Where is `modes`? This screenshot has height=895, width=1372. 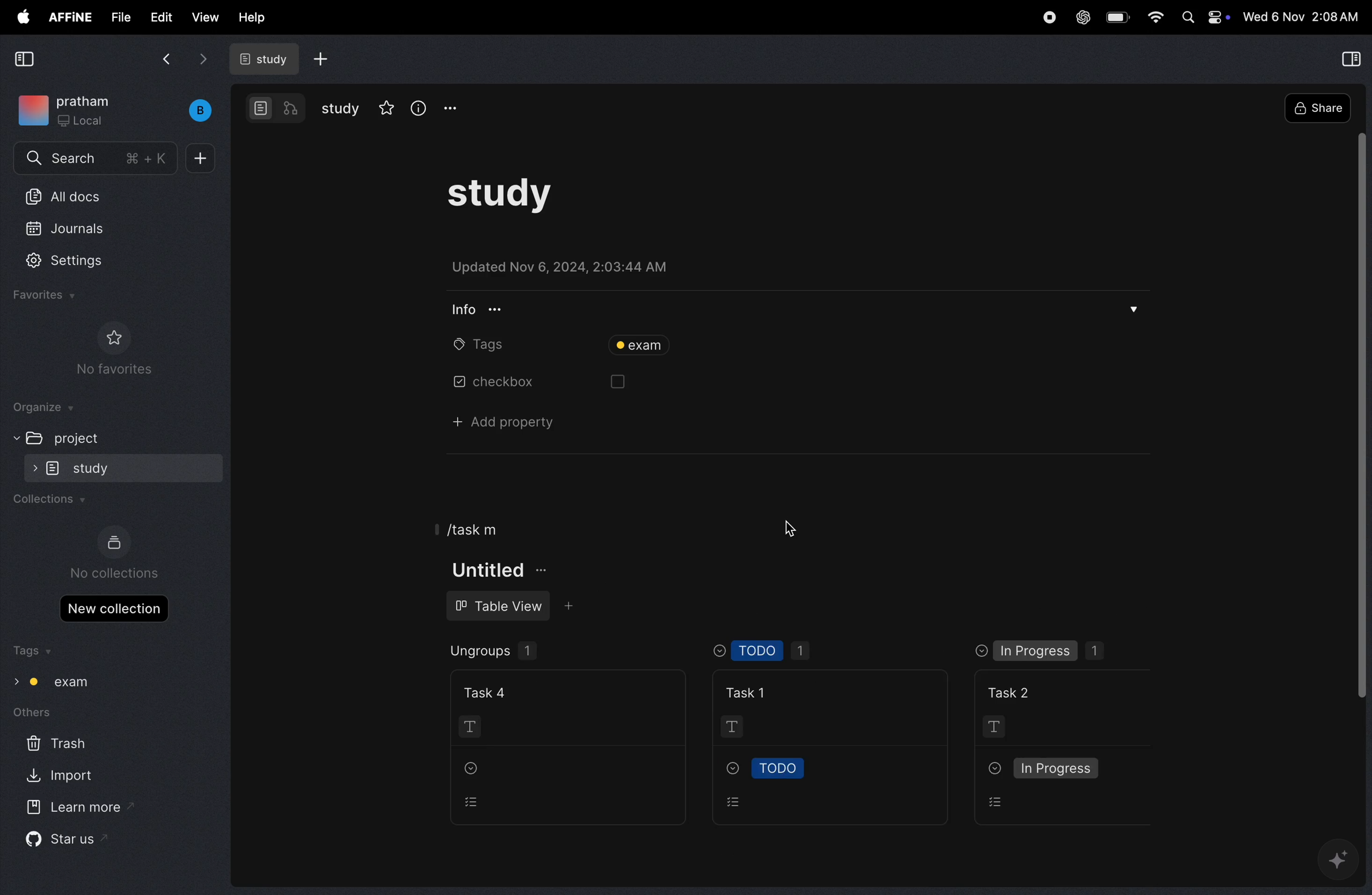
modes is located at coordinates (277, 110).